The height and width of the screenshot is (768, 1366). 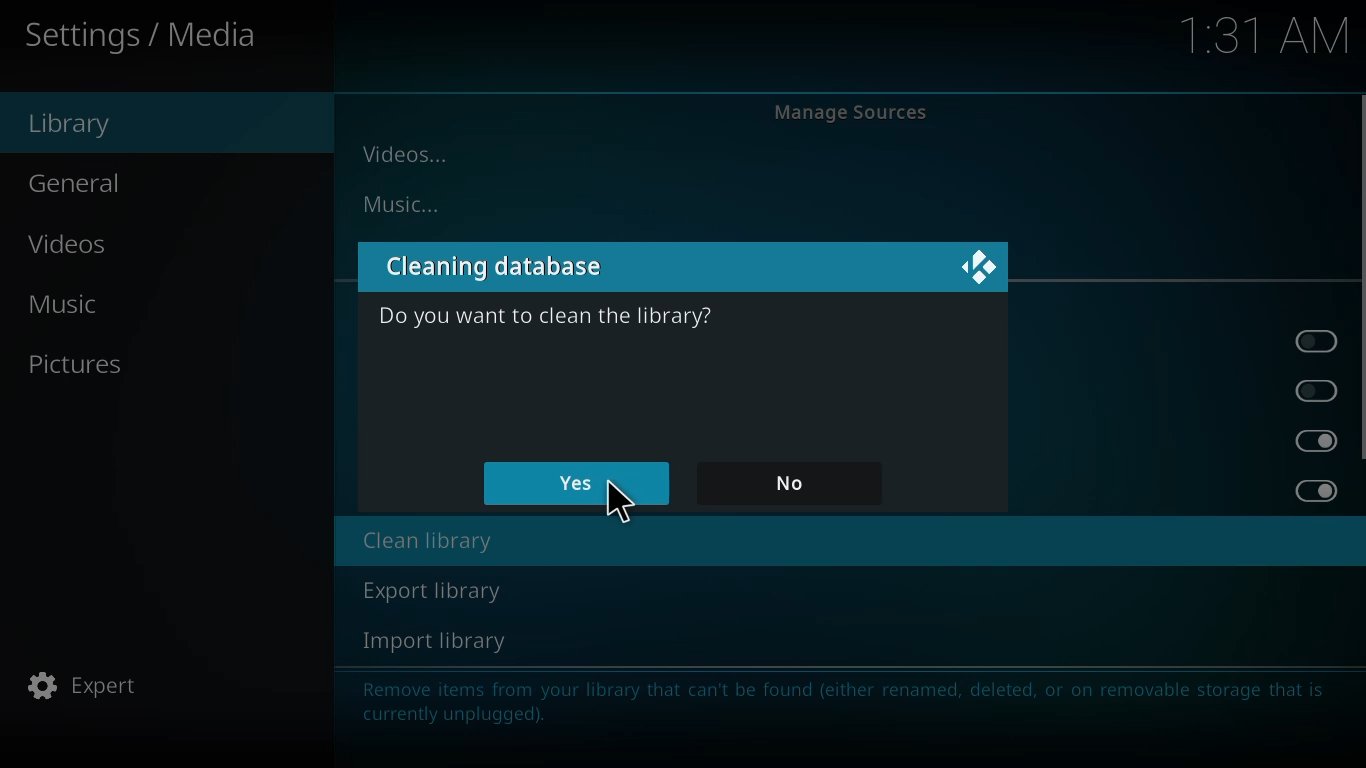 What do you see at coordinates (791, 481) in the screenshot?
I see `no` at bounding box center [791, 481].